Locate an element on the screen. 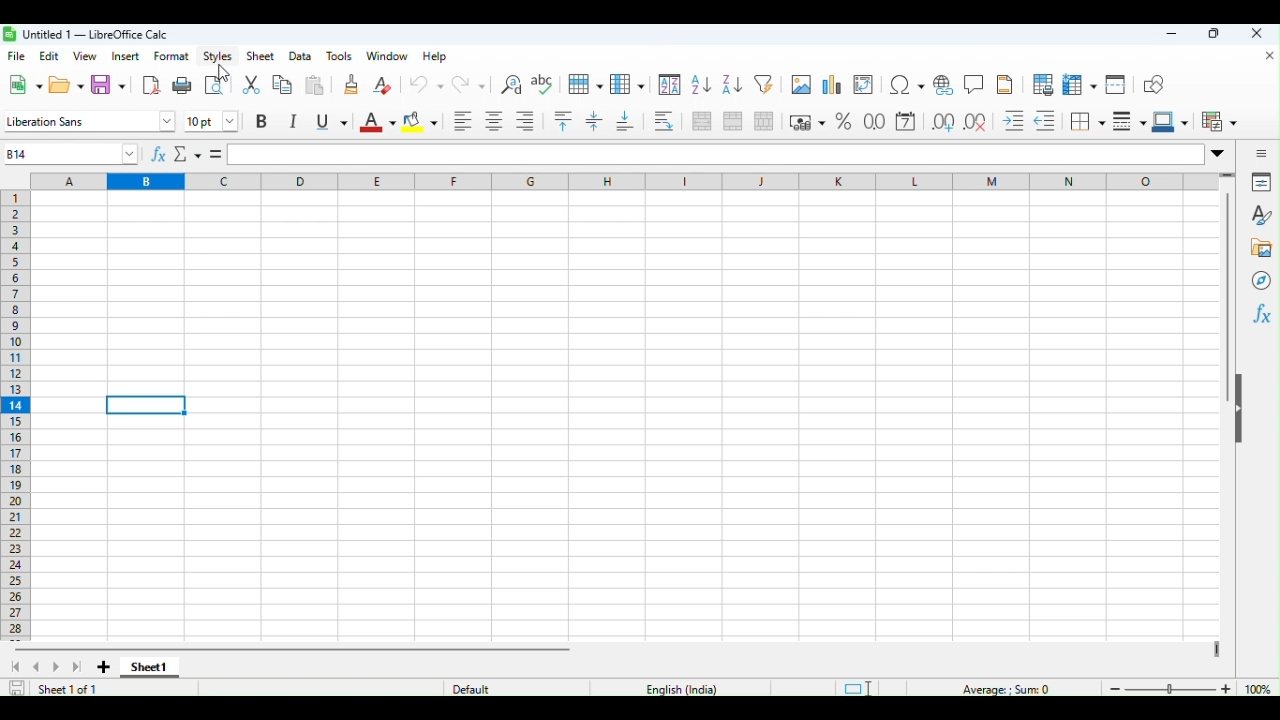  English (India) is located at coordinates (684, 689).